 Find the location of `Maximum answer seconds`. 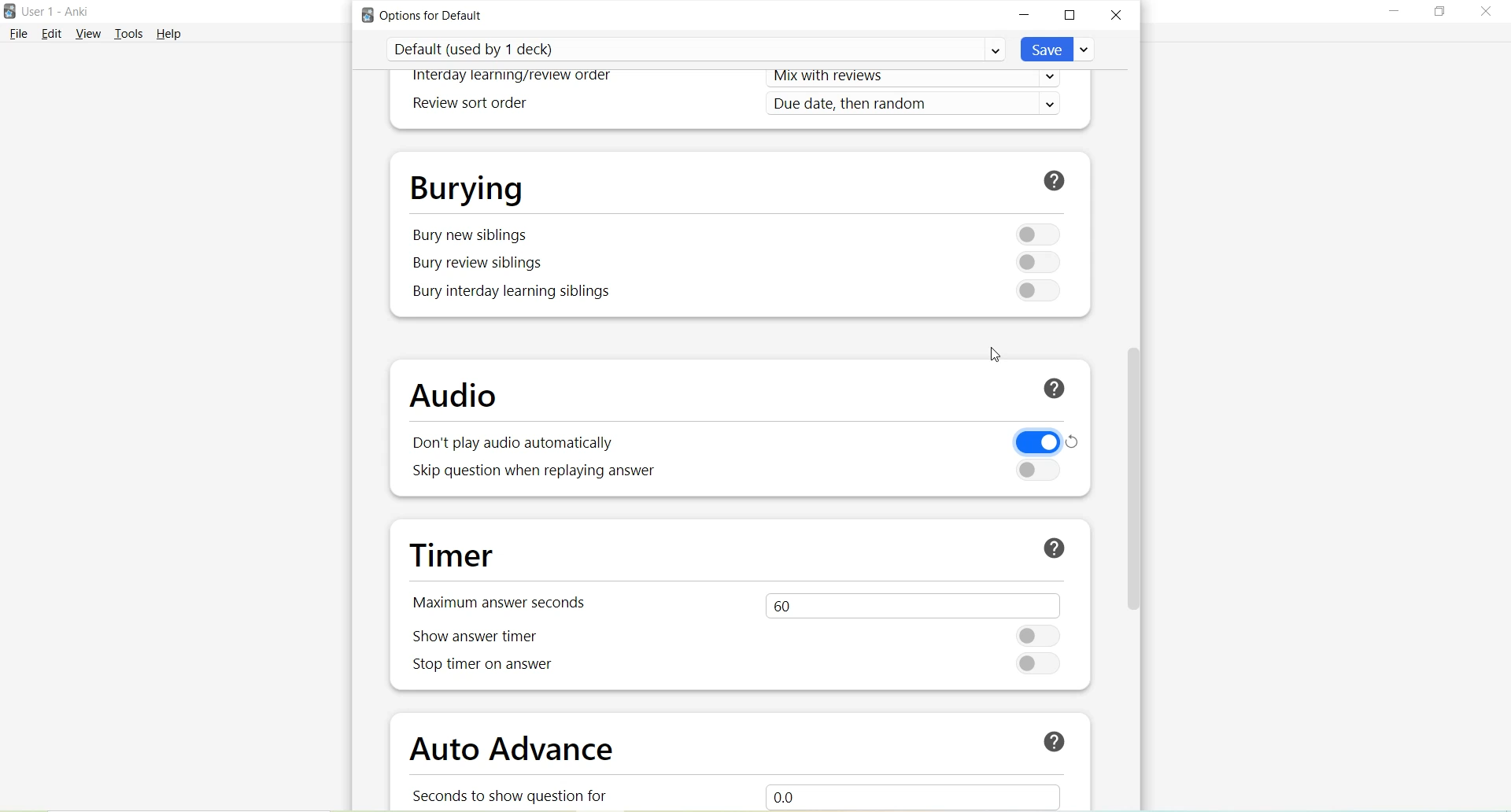

Maximum answer seconds is located at coordinates (507, 601).